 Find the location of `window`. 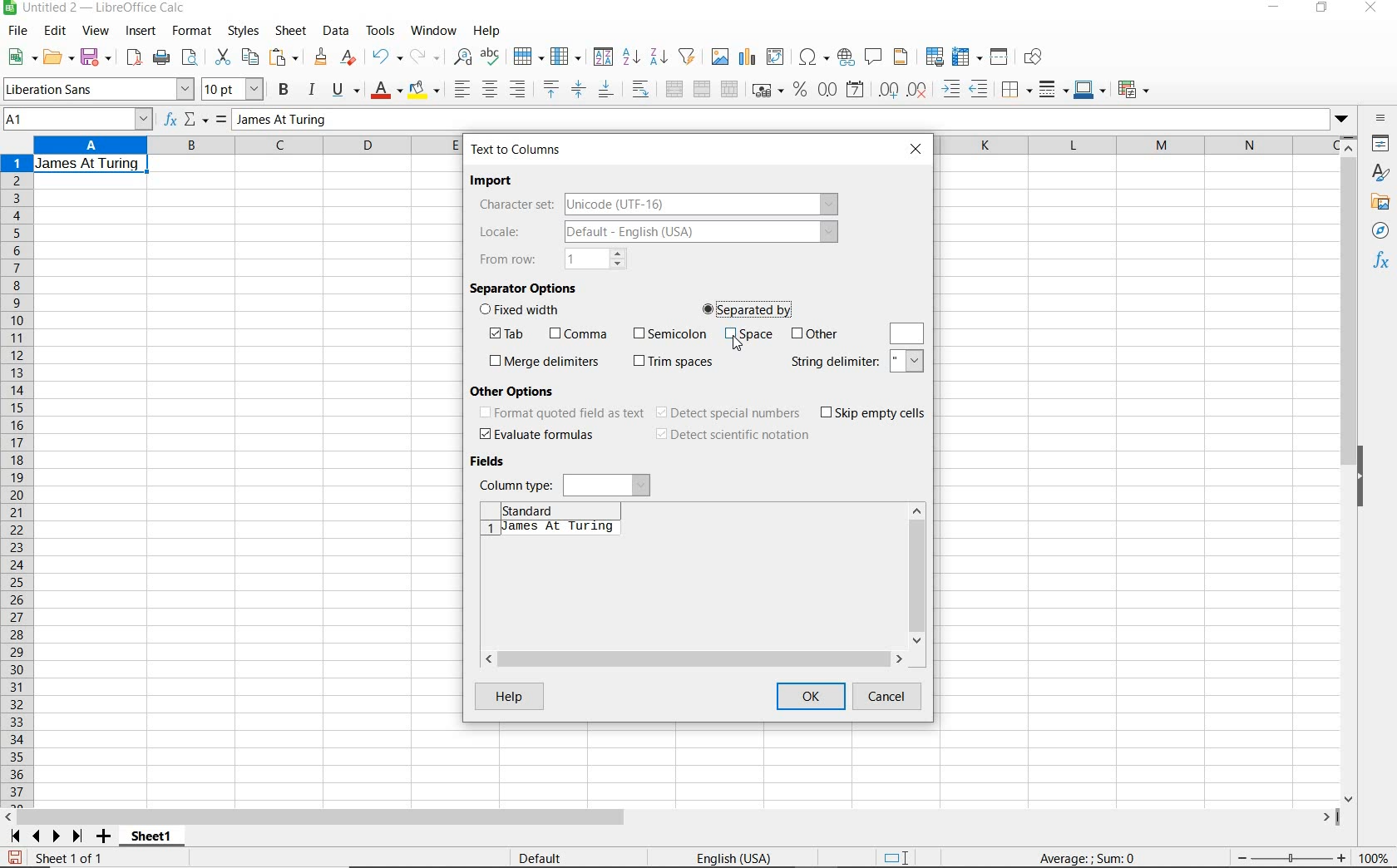

window is located at coordinates (433, 32).